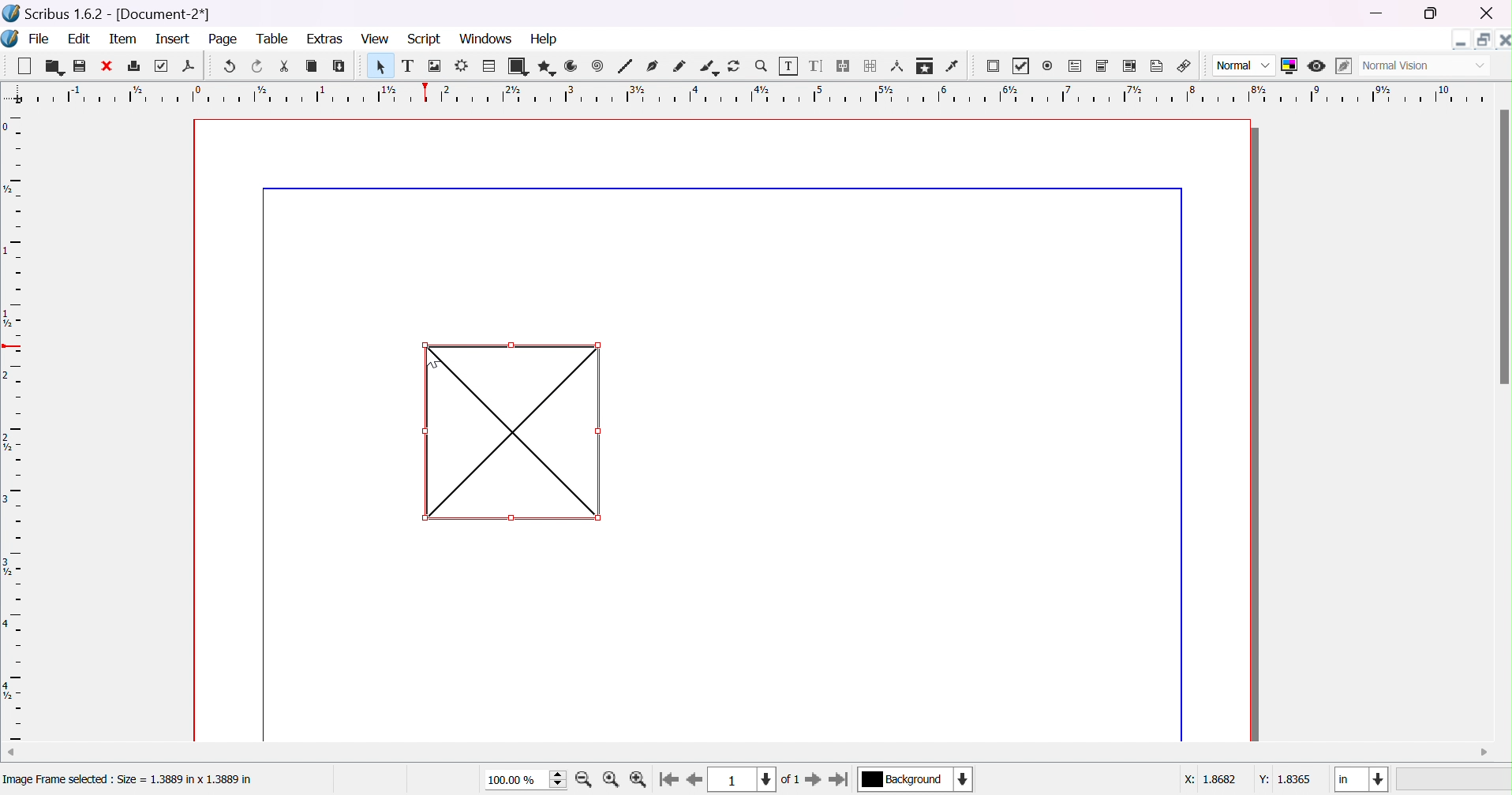 The width and height of the screenshot is (1512, 795). What do you see at coordinates (1488, 13) in the screenshot?
I see `close` at bounding box center [1488, 13].